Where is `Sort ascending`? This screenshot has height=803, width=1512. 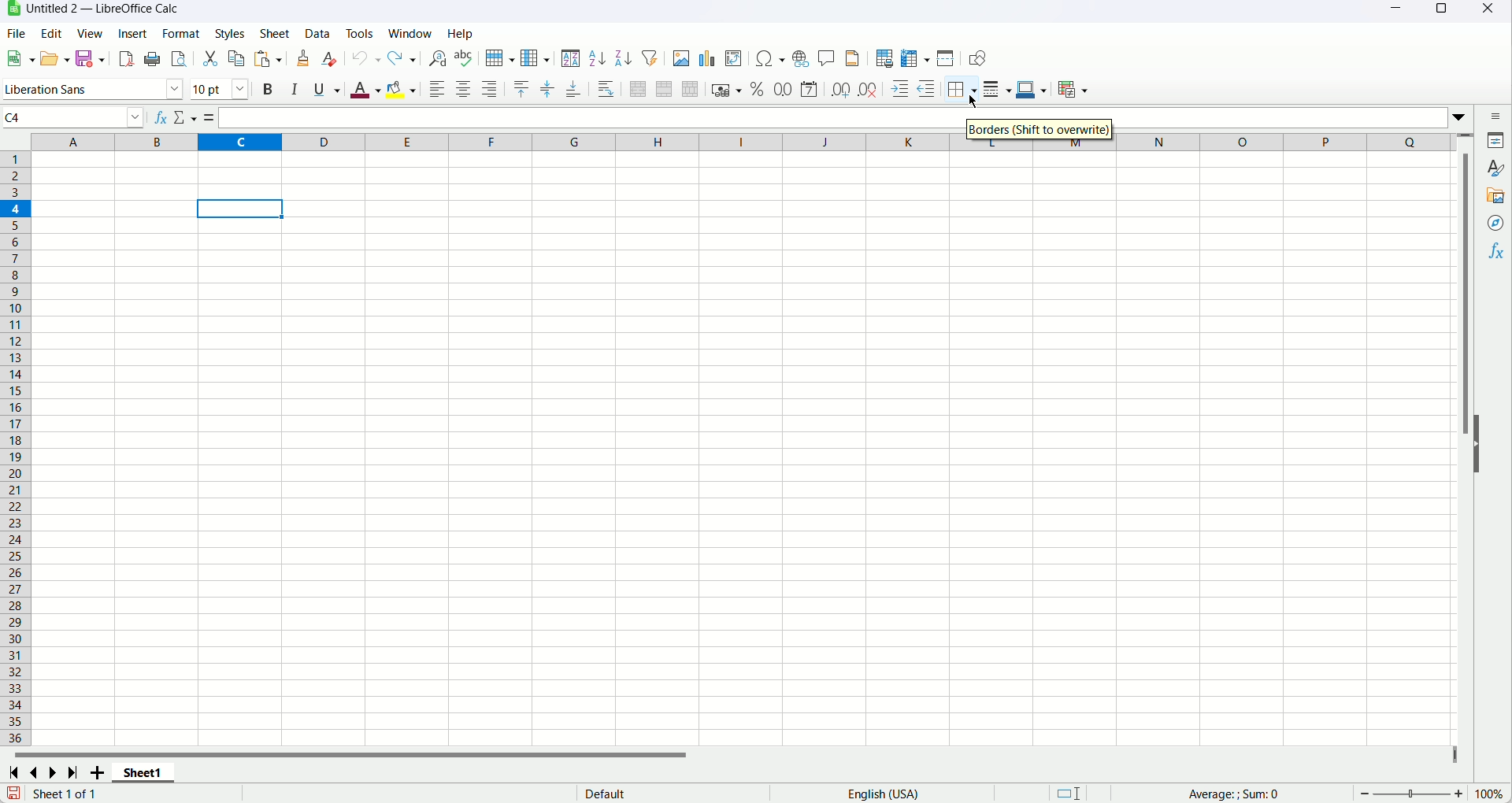
Sort ascending is located at coordinates (598, 59).